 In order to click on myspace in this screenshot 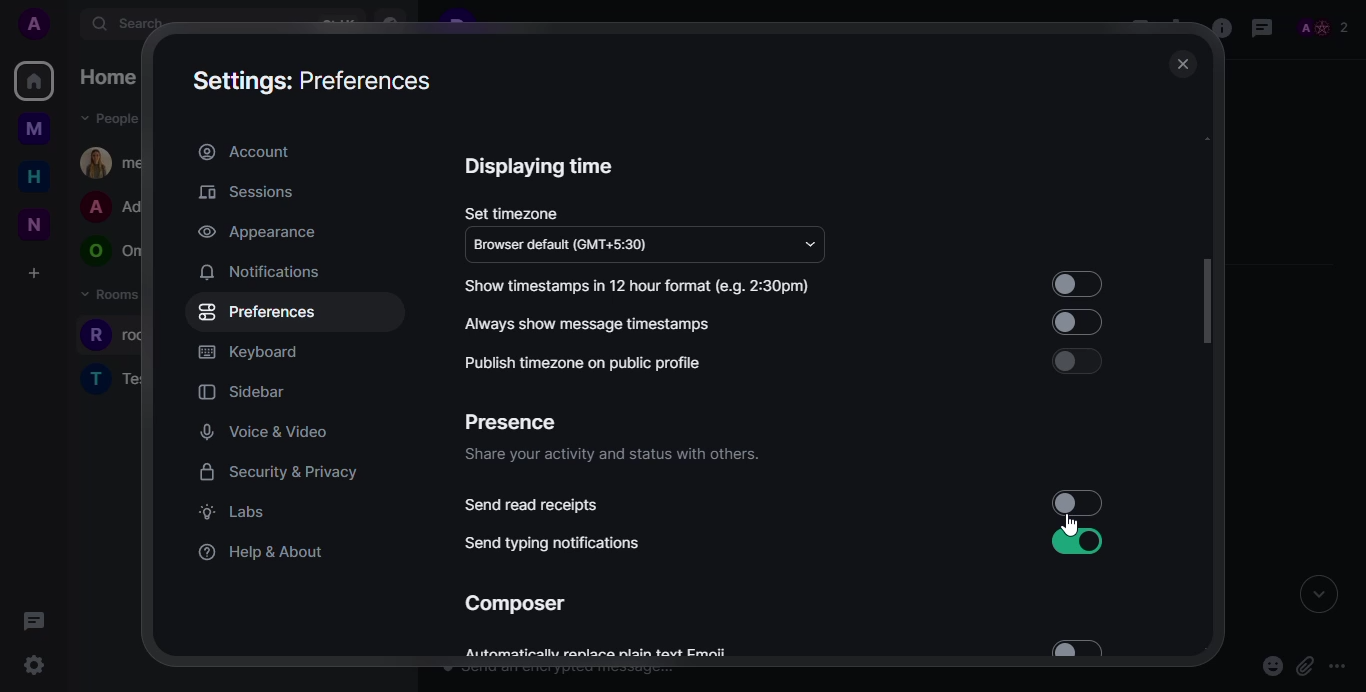, I will do `click(33, 131)`.